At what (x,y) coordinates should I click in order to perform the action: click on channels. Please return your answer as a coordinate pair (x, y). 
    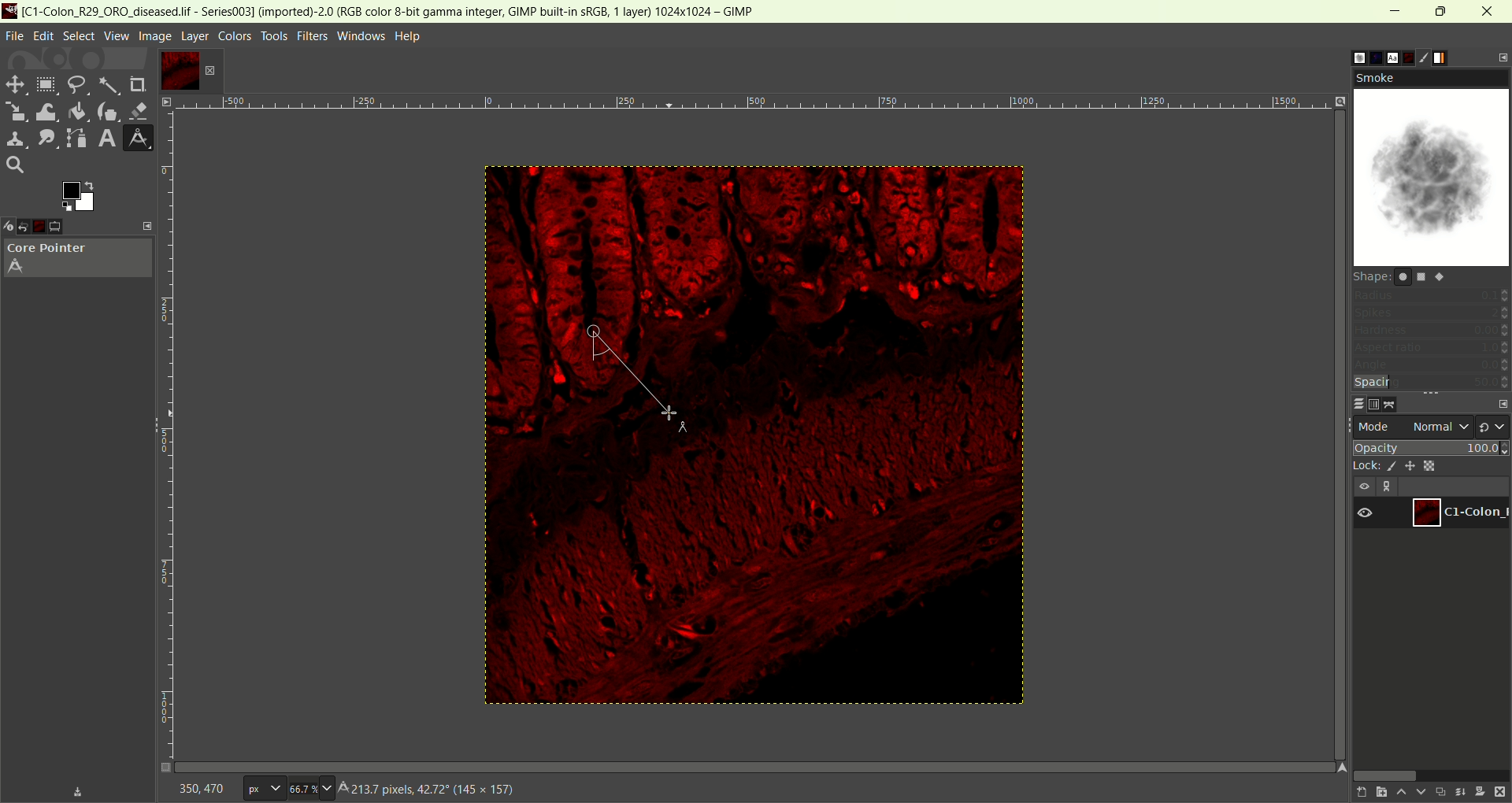
    Looking at the image, I should click on (1374, 405).